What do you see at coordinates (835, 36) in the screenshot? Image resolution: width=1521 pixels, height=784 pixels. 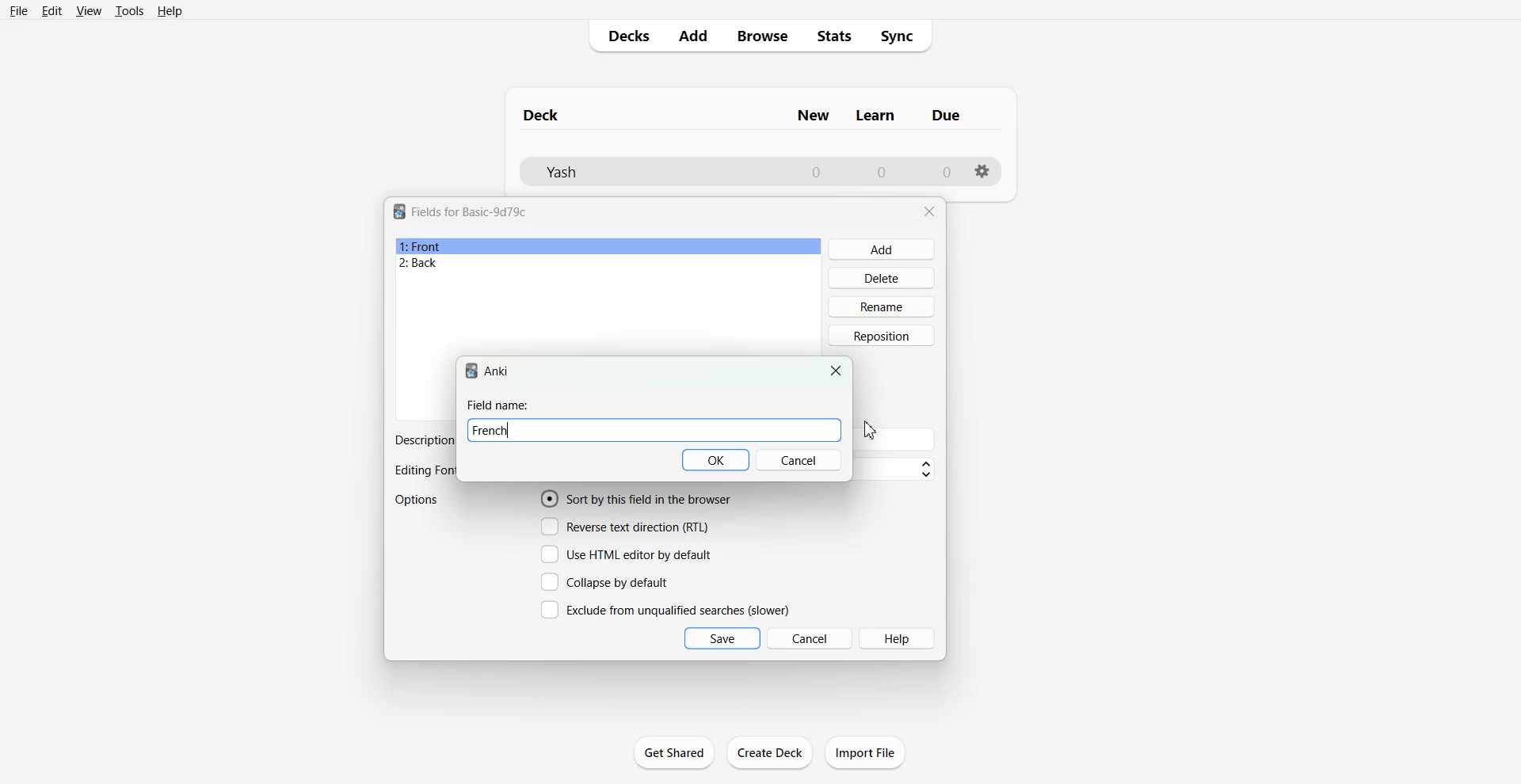 I see `Stats` at bounding box center [835, 36].